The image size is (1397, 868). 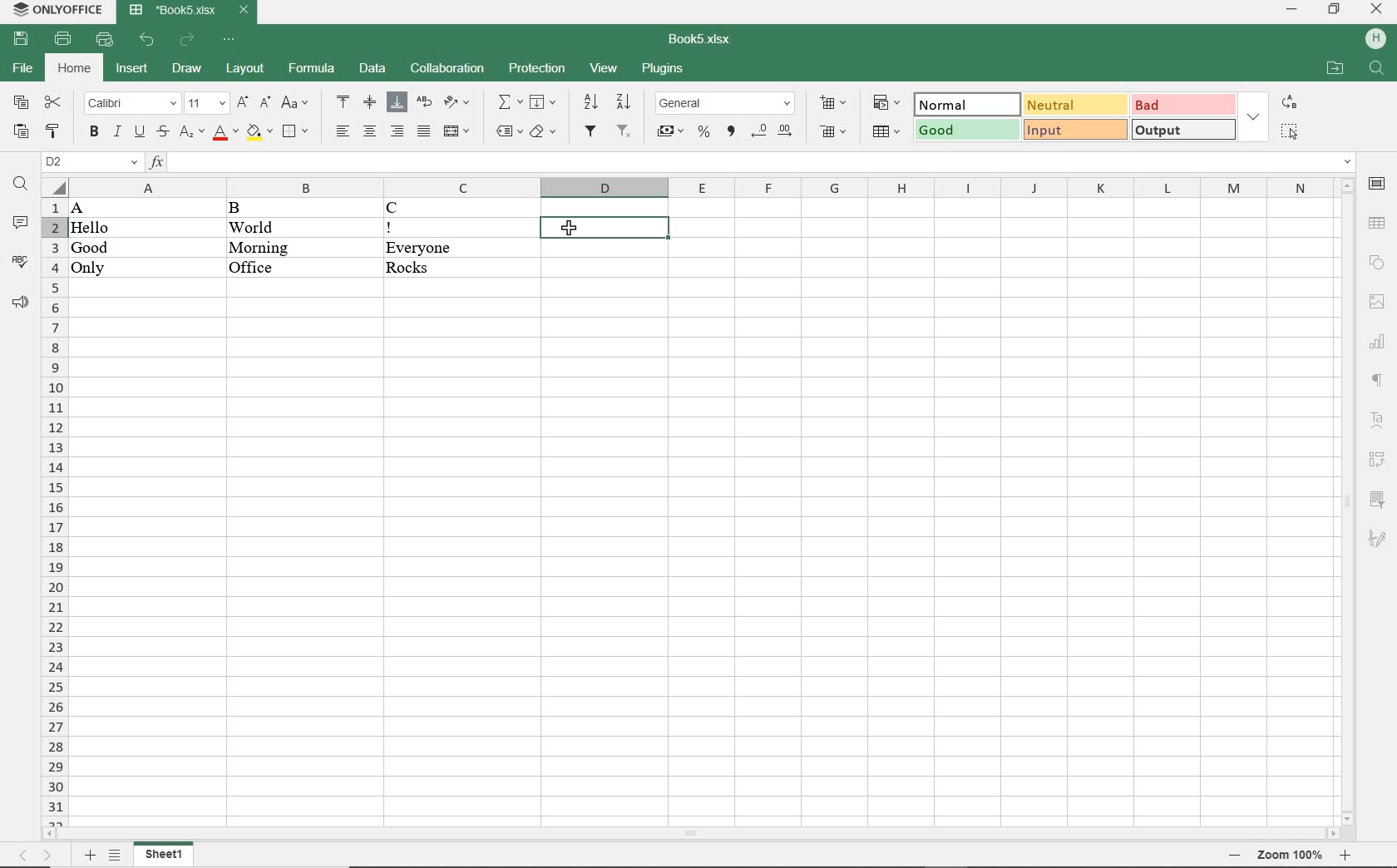 What do you see at coordinates (624, 131) in the screenshot?
I see `REMOV FILTER` at bounding box center [624, 131].